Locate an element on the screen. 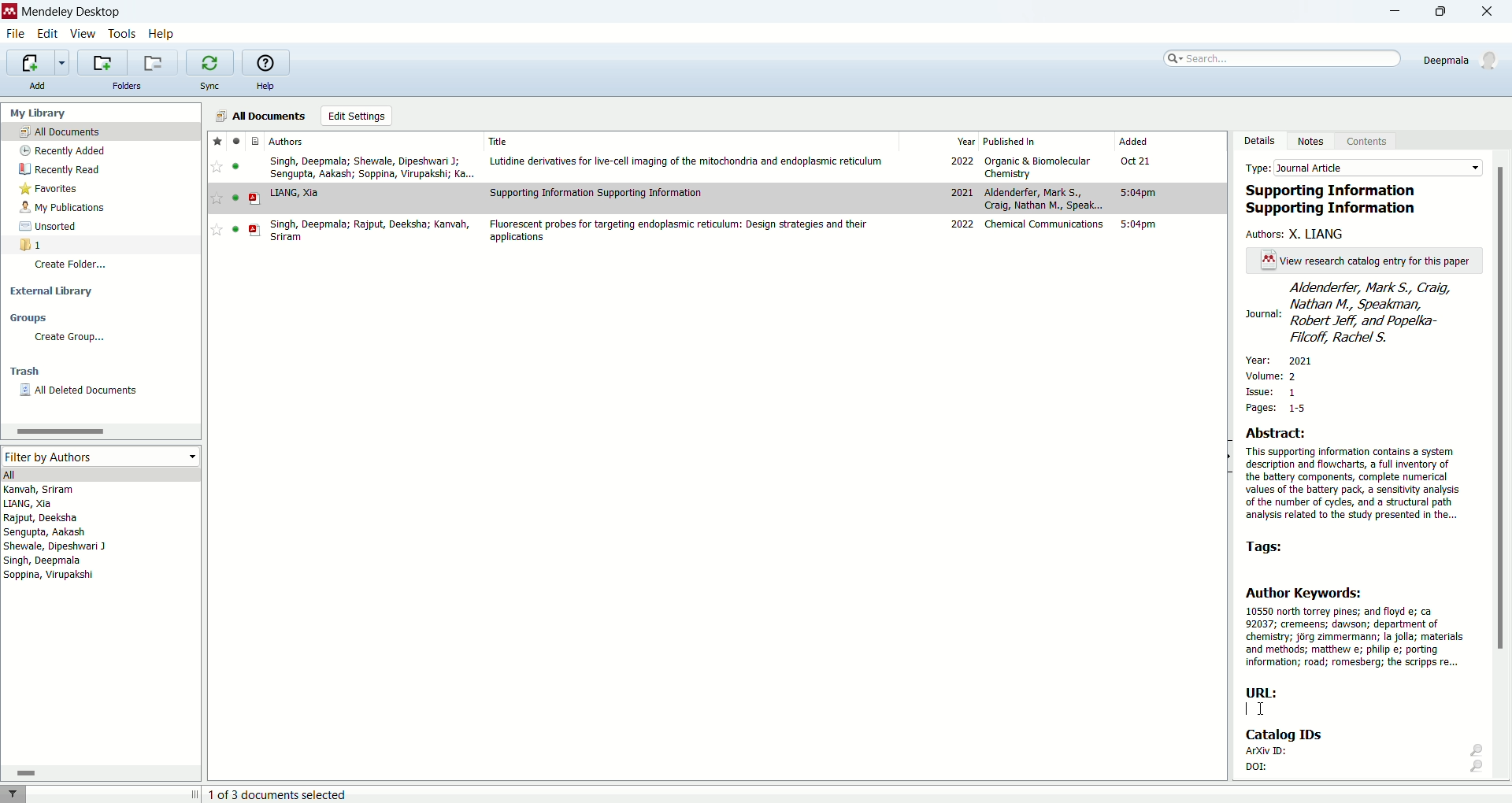 The width and height of the screenshot is (1512, 803). horizontal scroll bar is located at coordinates (100, 772).